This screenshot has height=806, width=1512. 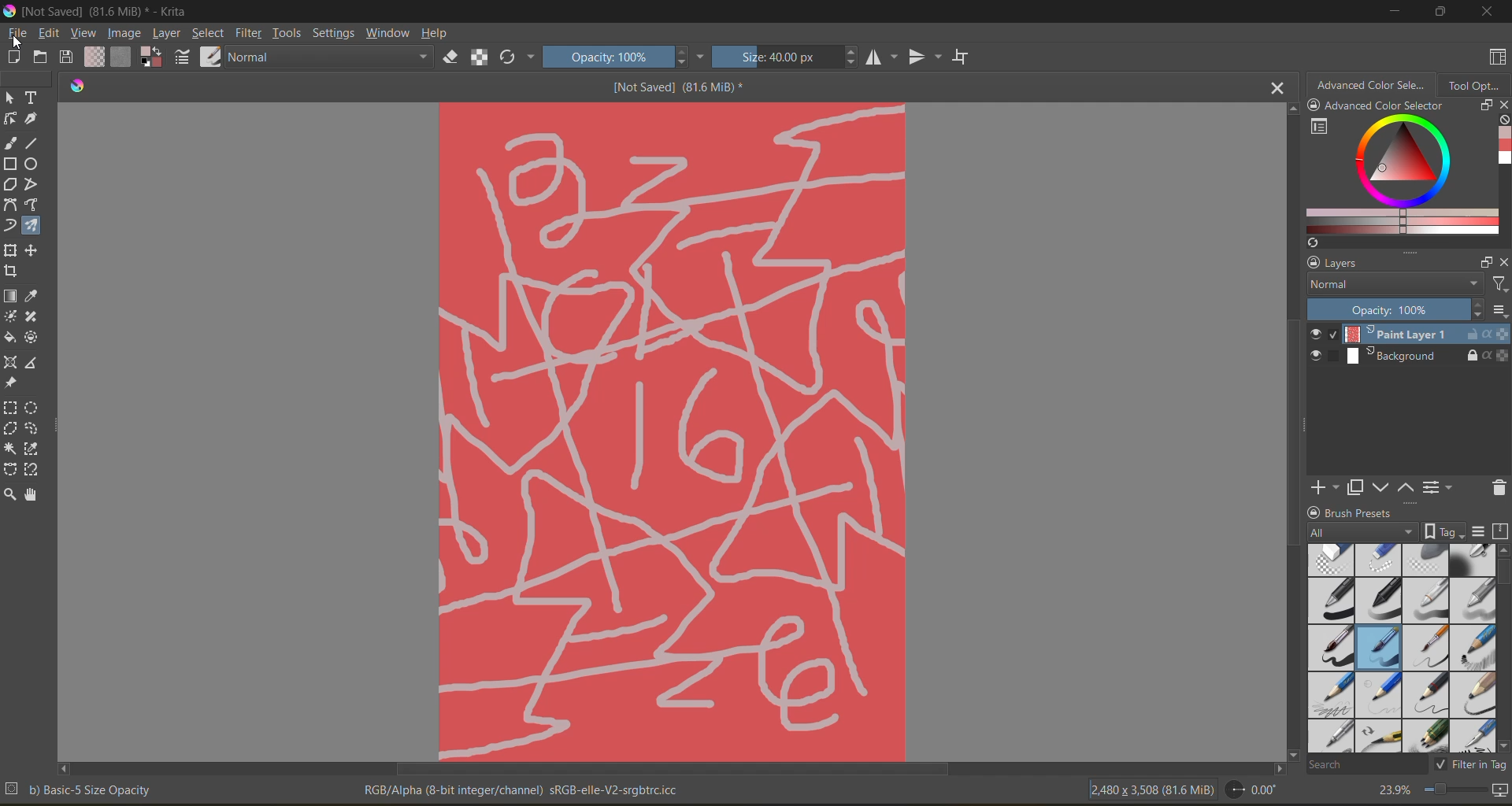 What do you see at coordinates (1317, 107) in the screenshot?
I see `lock/unlock docker` at bounding box center [1317, 107].